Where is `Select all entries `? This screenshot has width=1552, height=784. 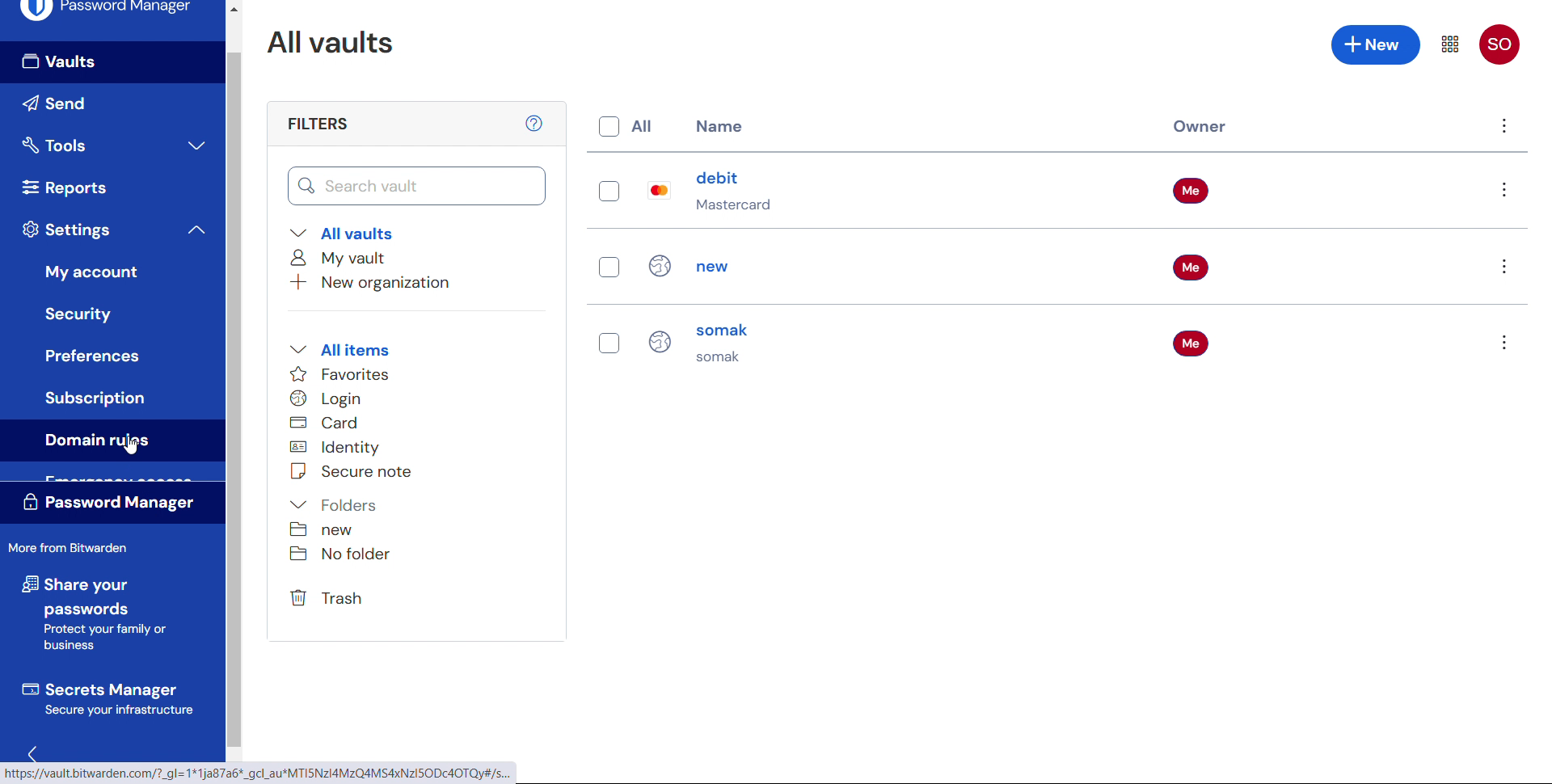 Select all entries  is located at coordinates (624, 126).